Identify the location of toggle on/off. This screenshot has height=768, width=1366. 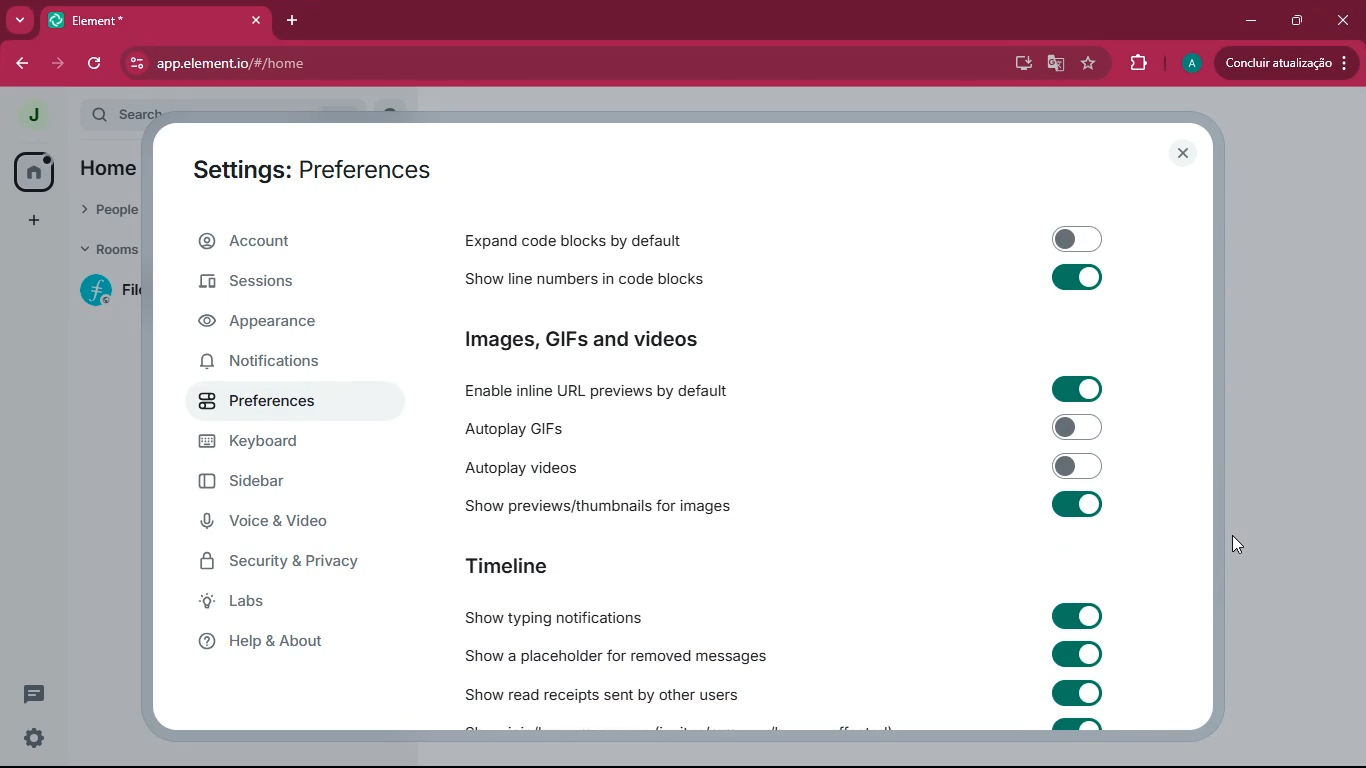
(1078, 466).